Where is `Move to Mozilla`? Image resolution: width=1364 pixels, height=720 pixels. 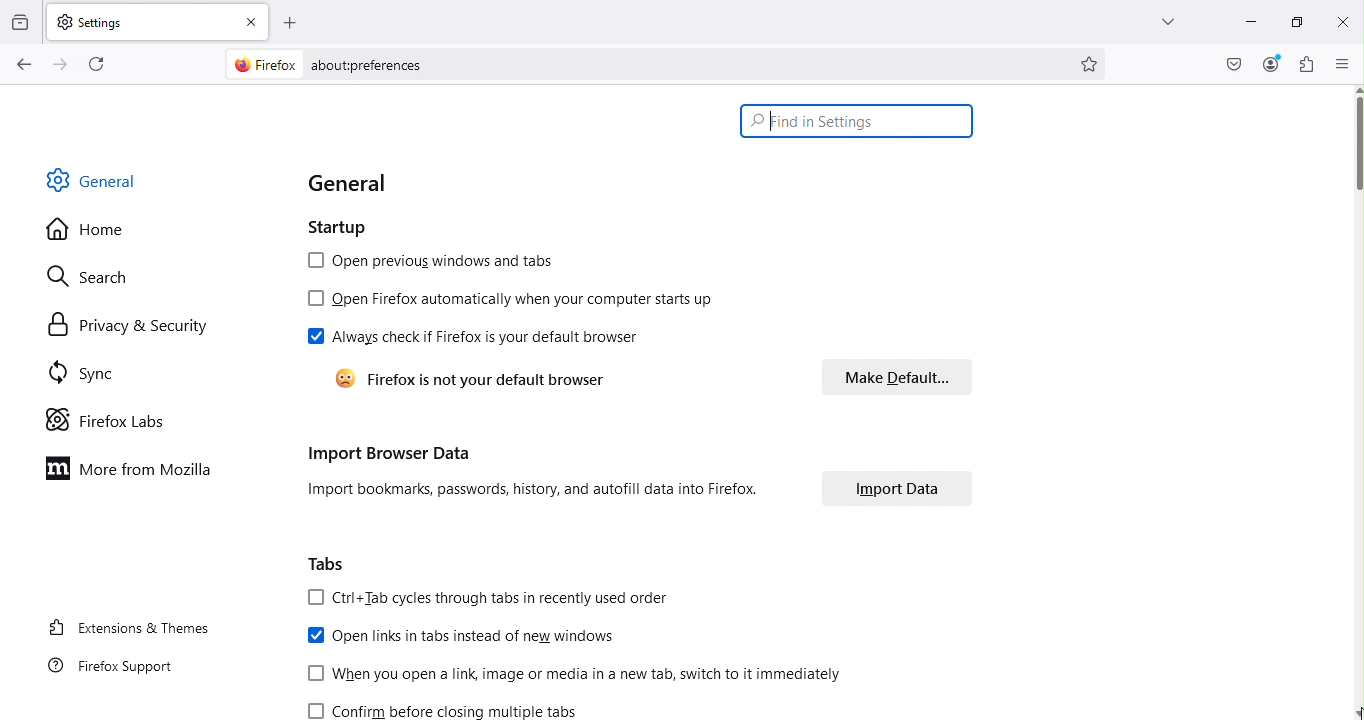 Move to Mozilla is located at coordinates (134, 467).